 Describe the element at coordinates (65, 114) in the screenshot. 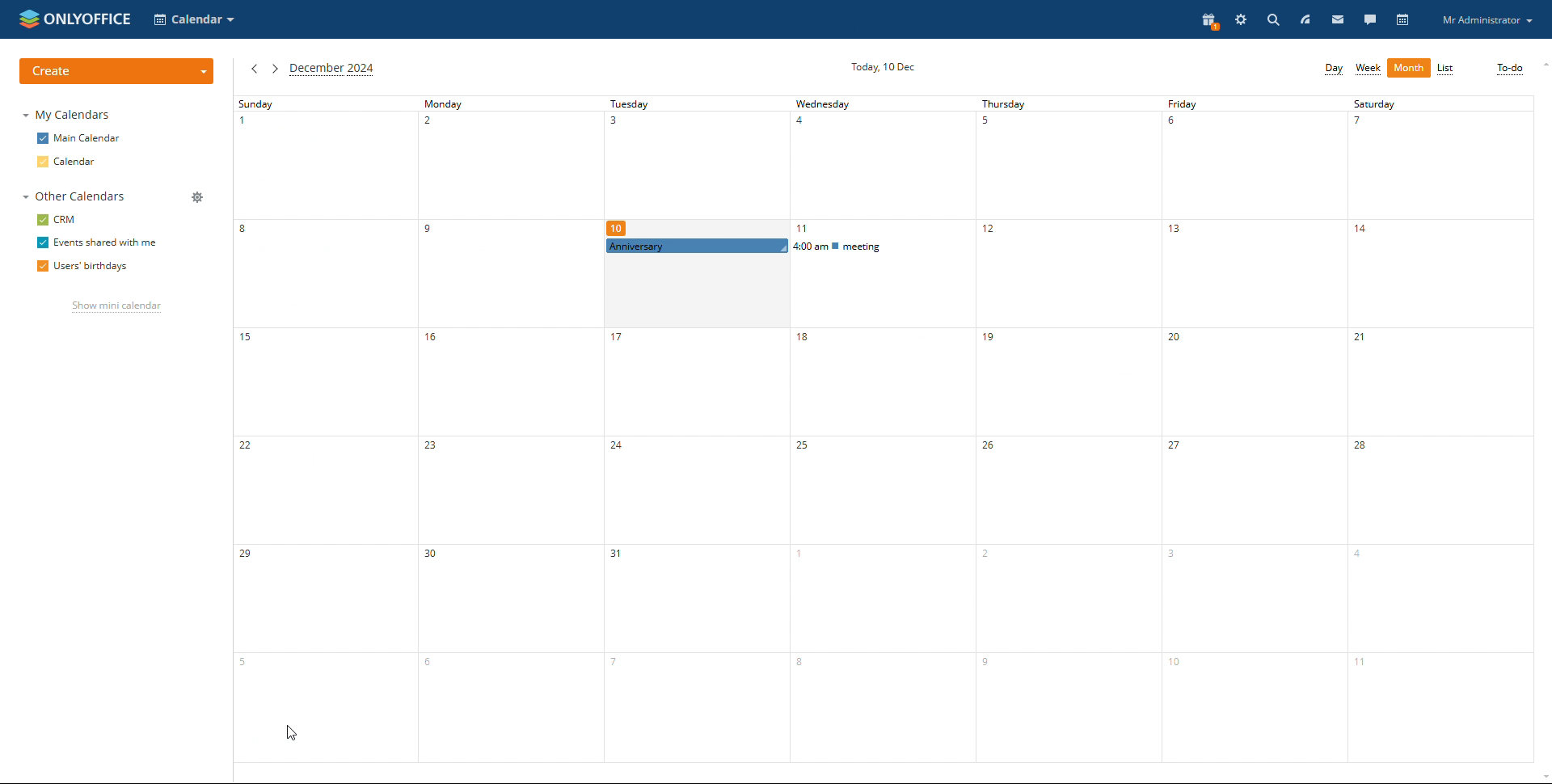

I see `my calendars` at that location.